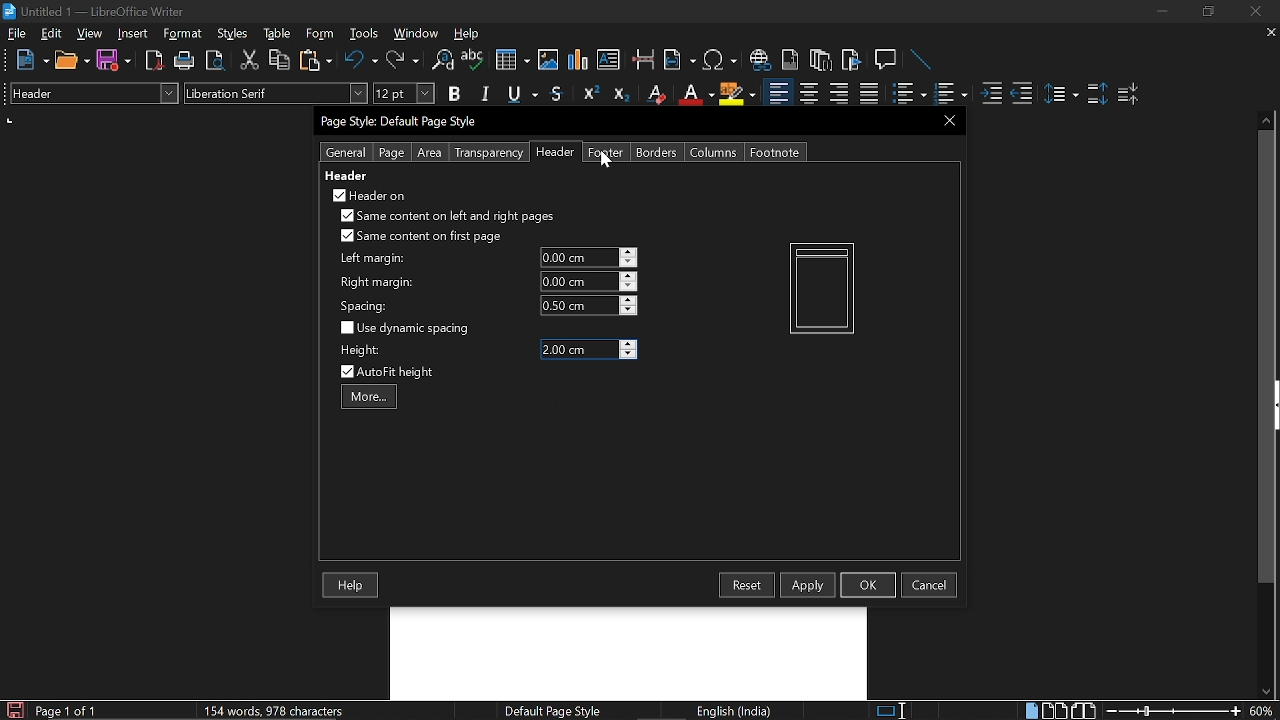  What do you see at coordinates (990, 93) in the screenshot?
I see `Increase indent` at bounding box center [990, 93].